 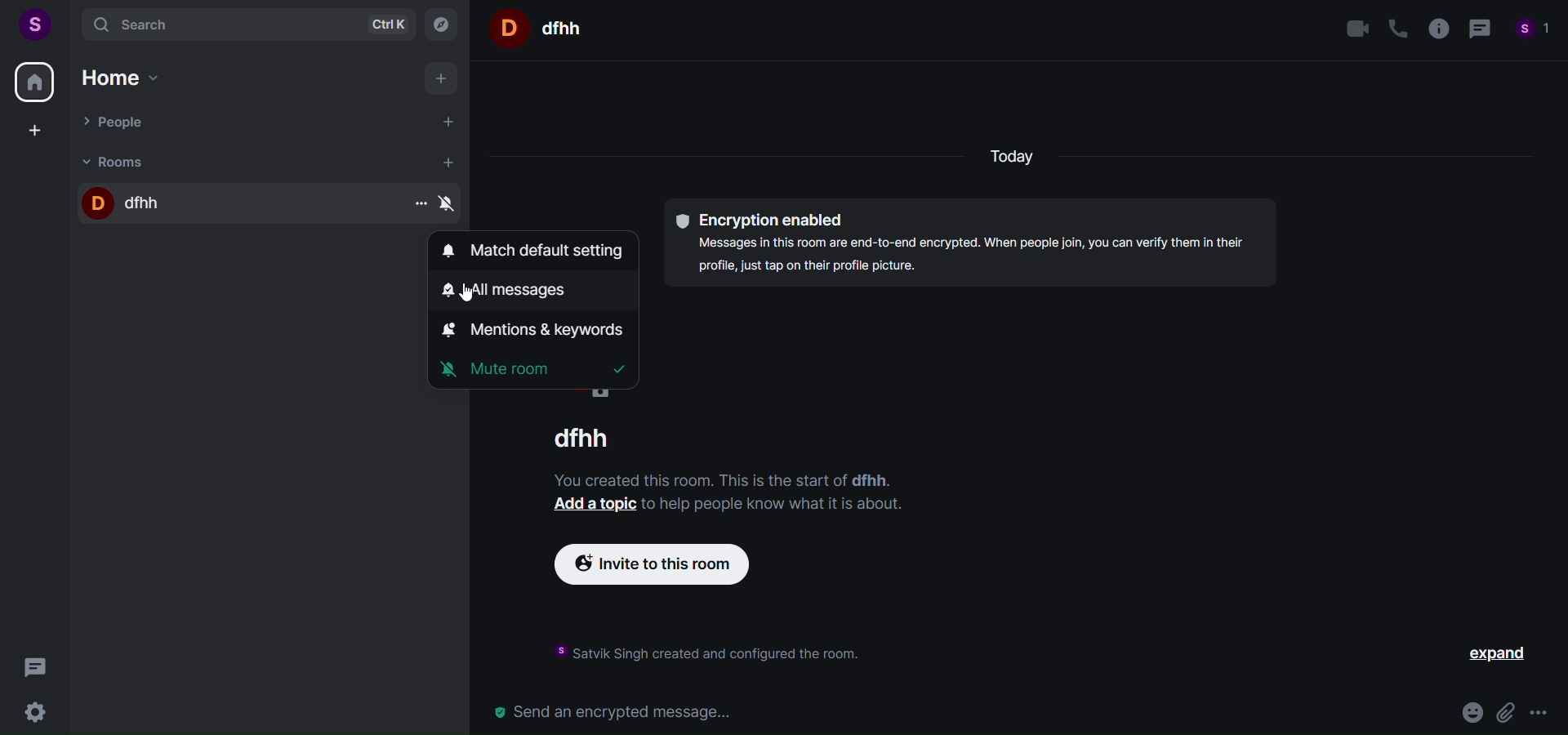 What do you see at coordinates (224, 204) in the screenshot?
I see `dfhh` at bounding box center [224, 204].